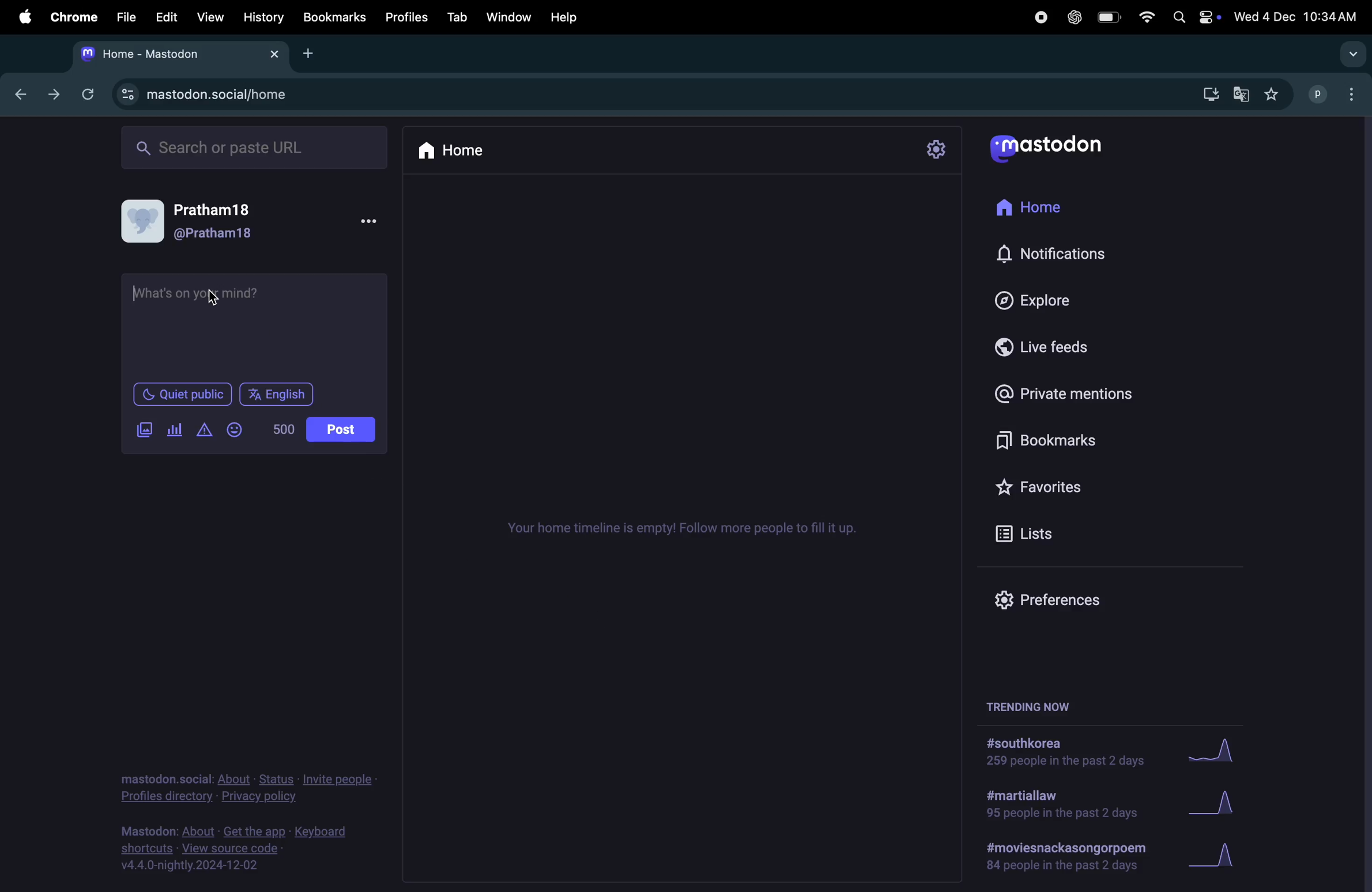  What do you see at coordinates (681, 529) in the screenshot?
I see `time line` at bounding box center [681, 529].